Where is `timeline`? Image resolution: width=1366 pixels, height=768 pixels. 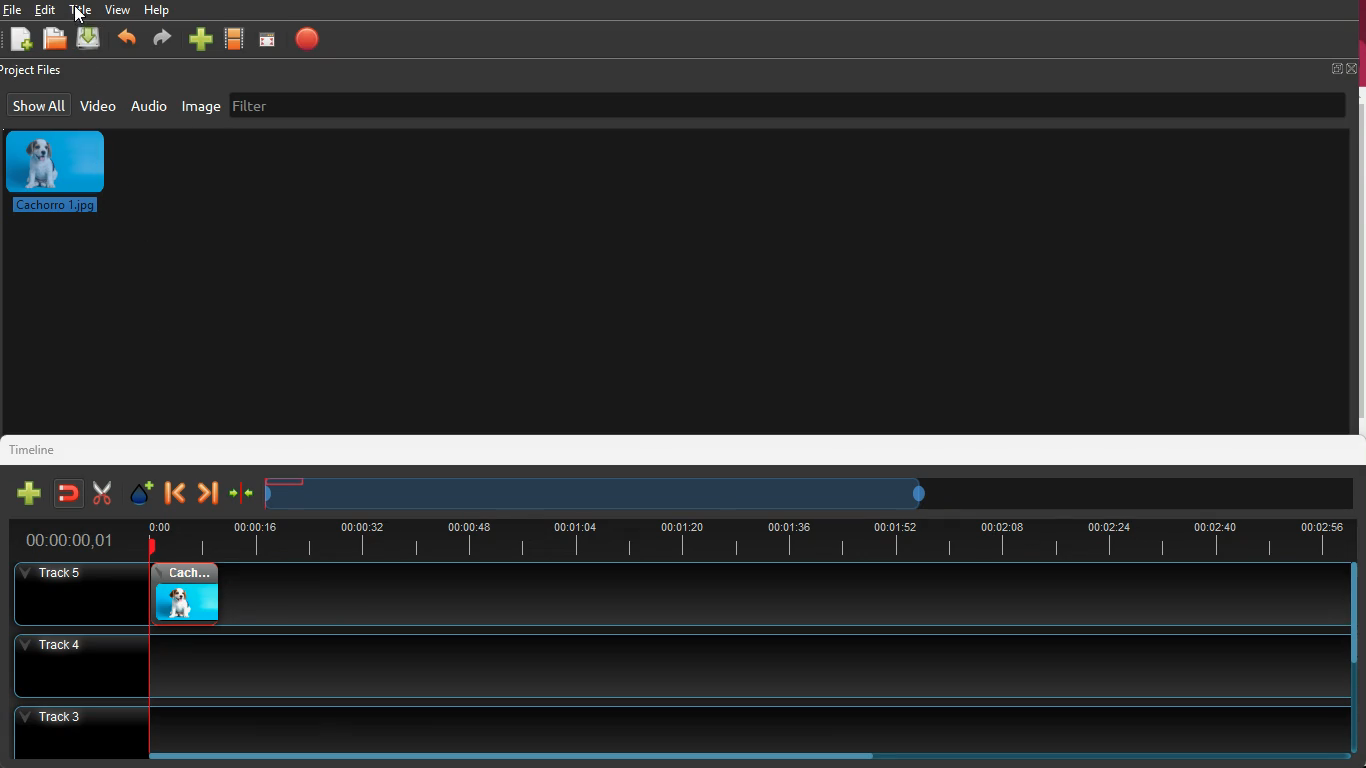
timeline is located at coordinates (41, 448).